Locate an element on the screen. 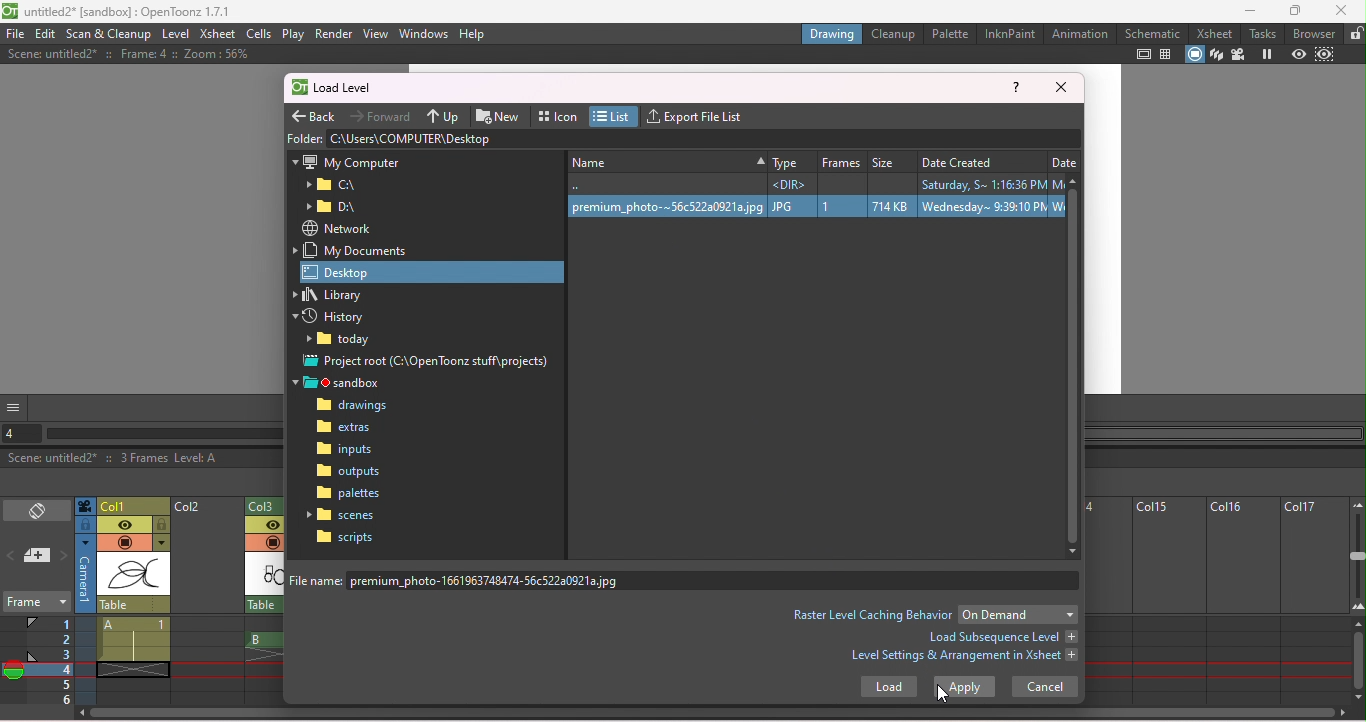 The width and height of the screenshot is (1366, 722). Raster level caching behvior is located at coordinates (872, 614).